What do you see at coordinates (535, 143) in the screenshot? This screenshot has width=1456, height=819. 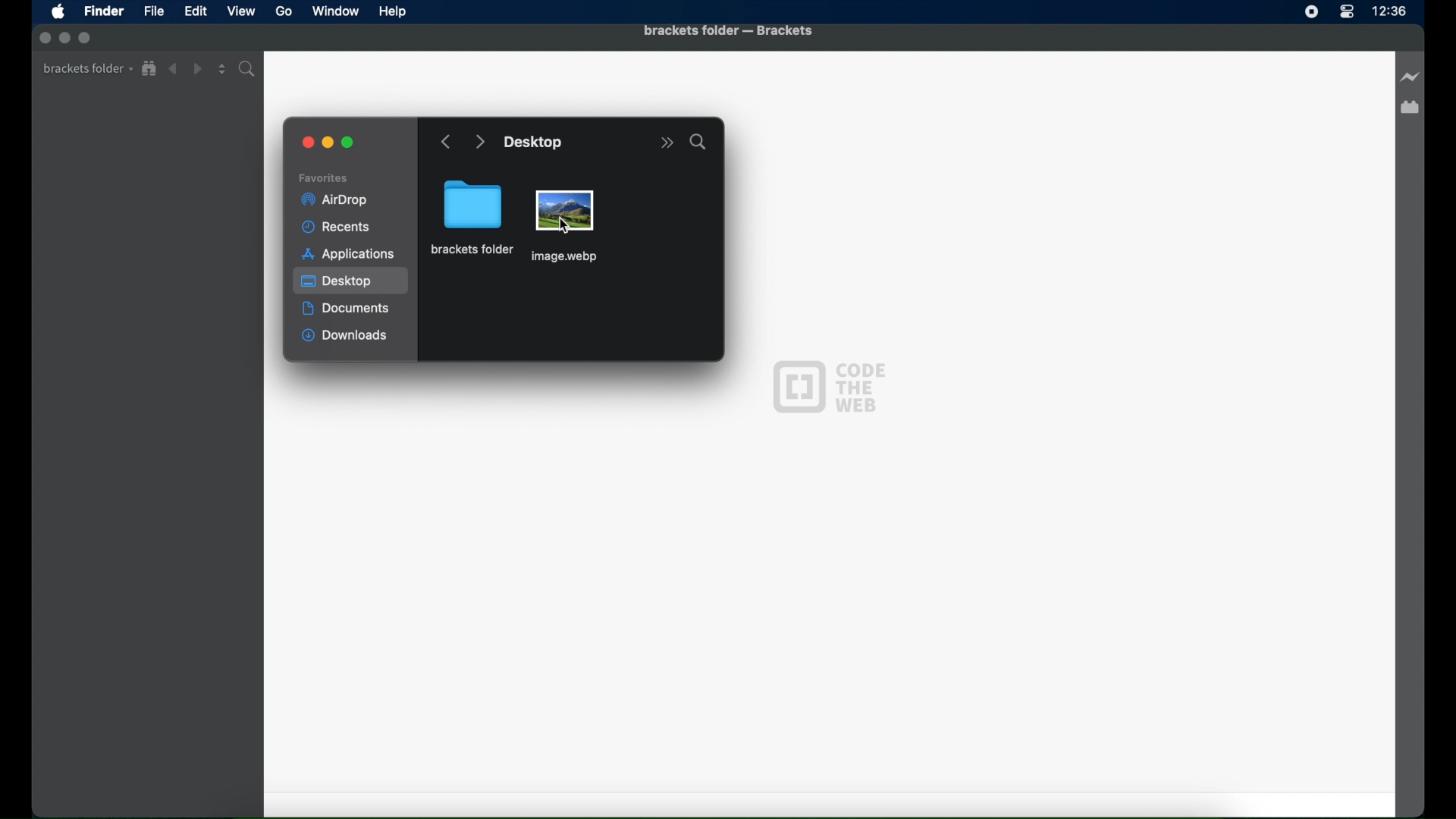 I see `desktop` at bounding box center [535, 143].